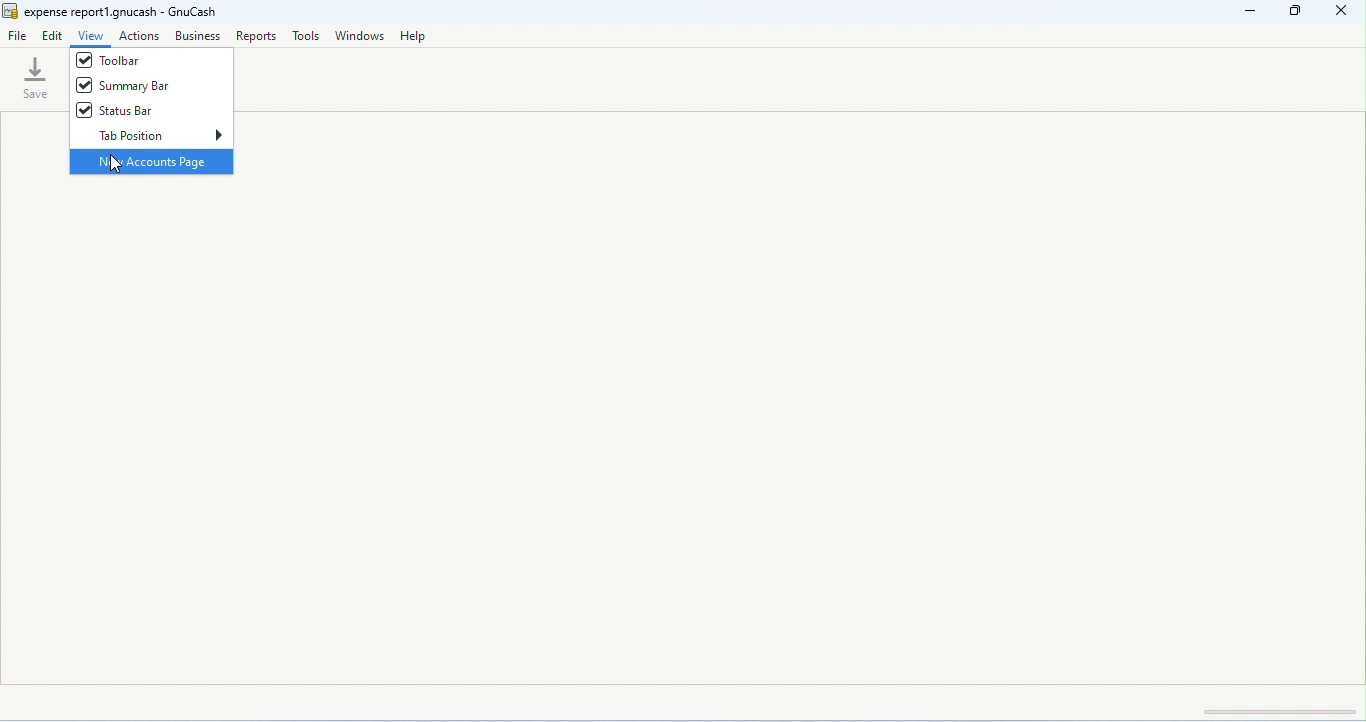  Describe the element at coordinates (117, 165) in the screenshot. I see `cursor movement` at that location.